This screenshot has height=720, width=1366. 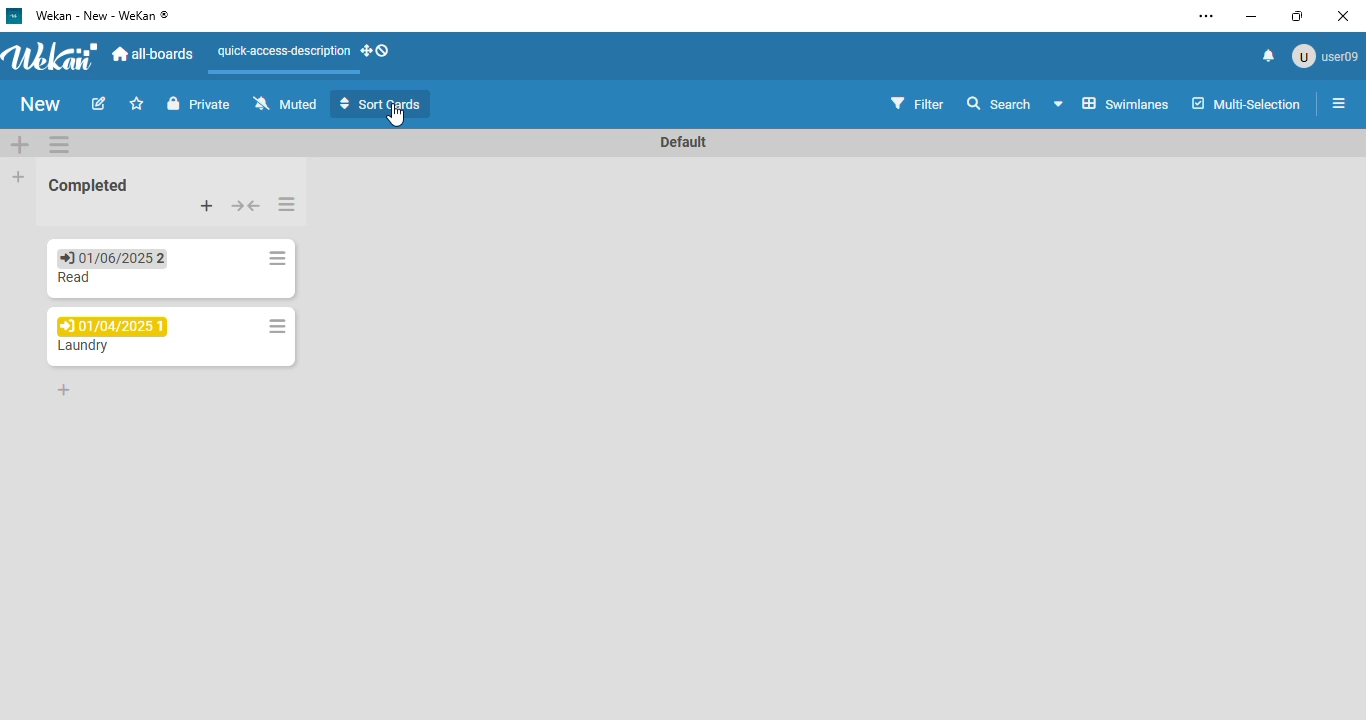 What do you see at coordinates (99, 103) in the screenshot?
I see `edit` at bounding box center [99, 103].